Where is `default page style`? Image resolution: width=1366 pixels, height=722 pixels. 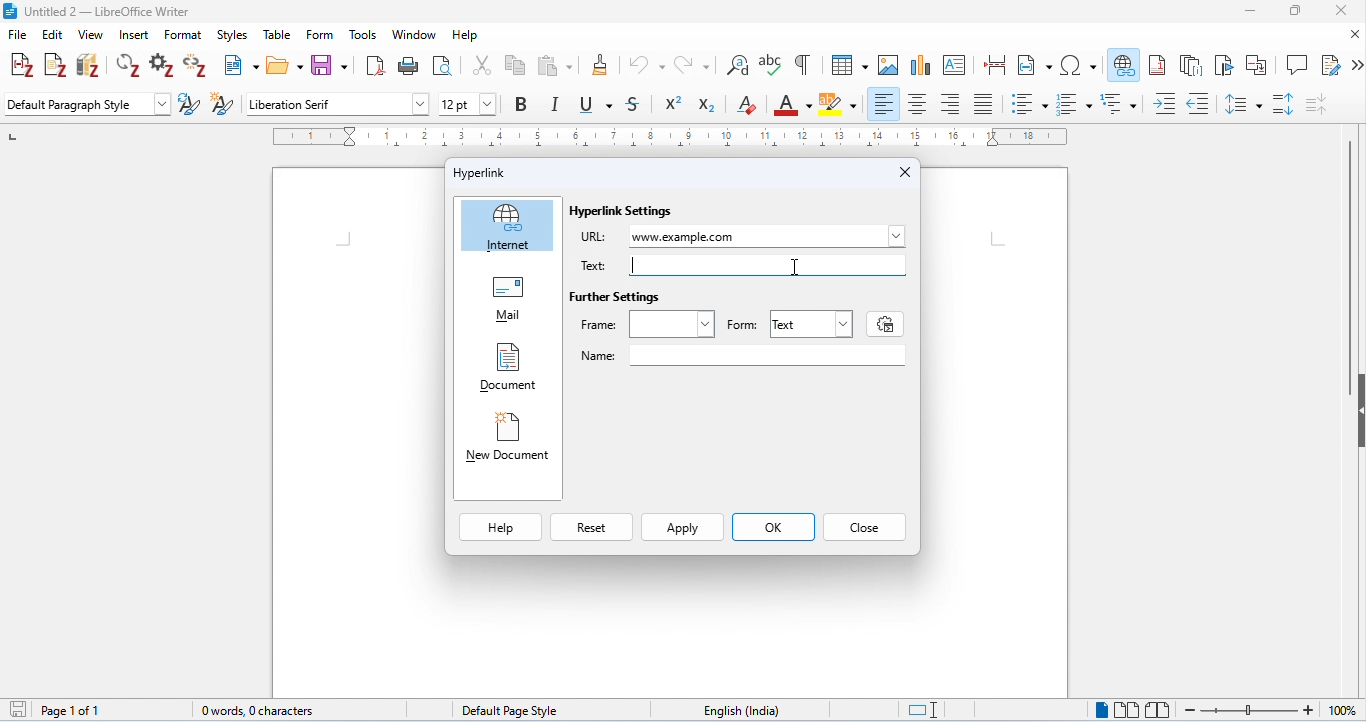
default page style is located at coordinates (511, 711).